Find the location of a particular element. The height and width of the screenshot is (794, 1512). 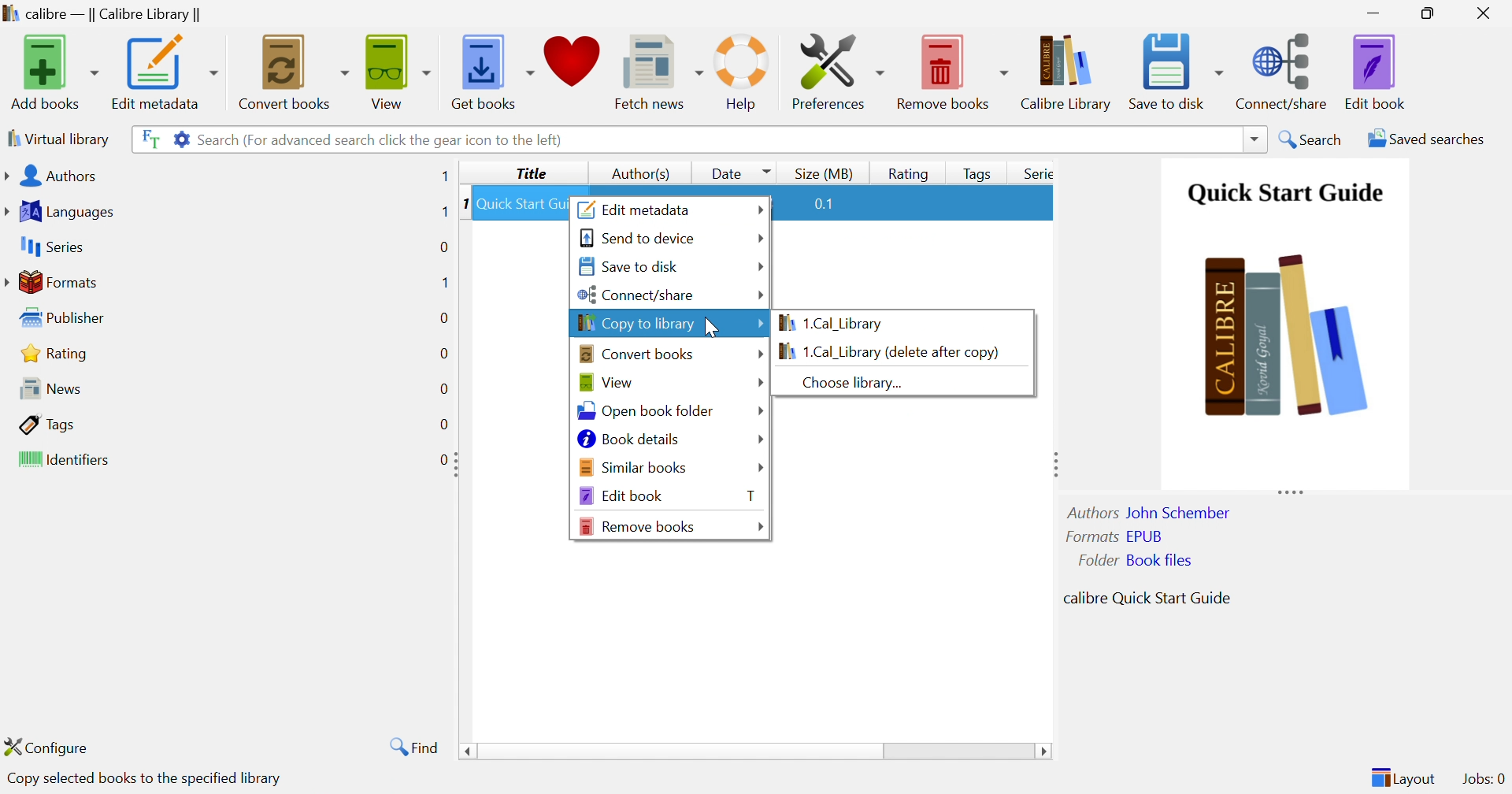

Drop Down is located at coordinates (758, 353).